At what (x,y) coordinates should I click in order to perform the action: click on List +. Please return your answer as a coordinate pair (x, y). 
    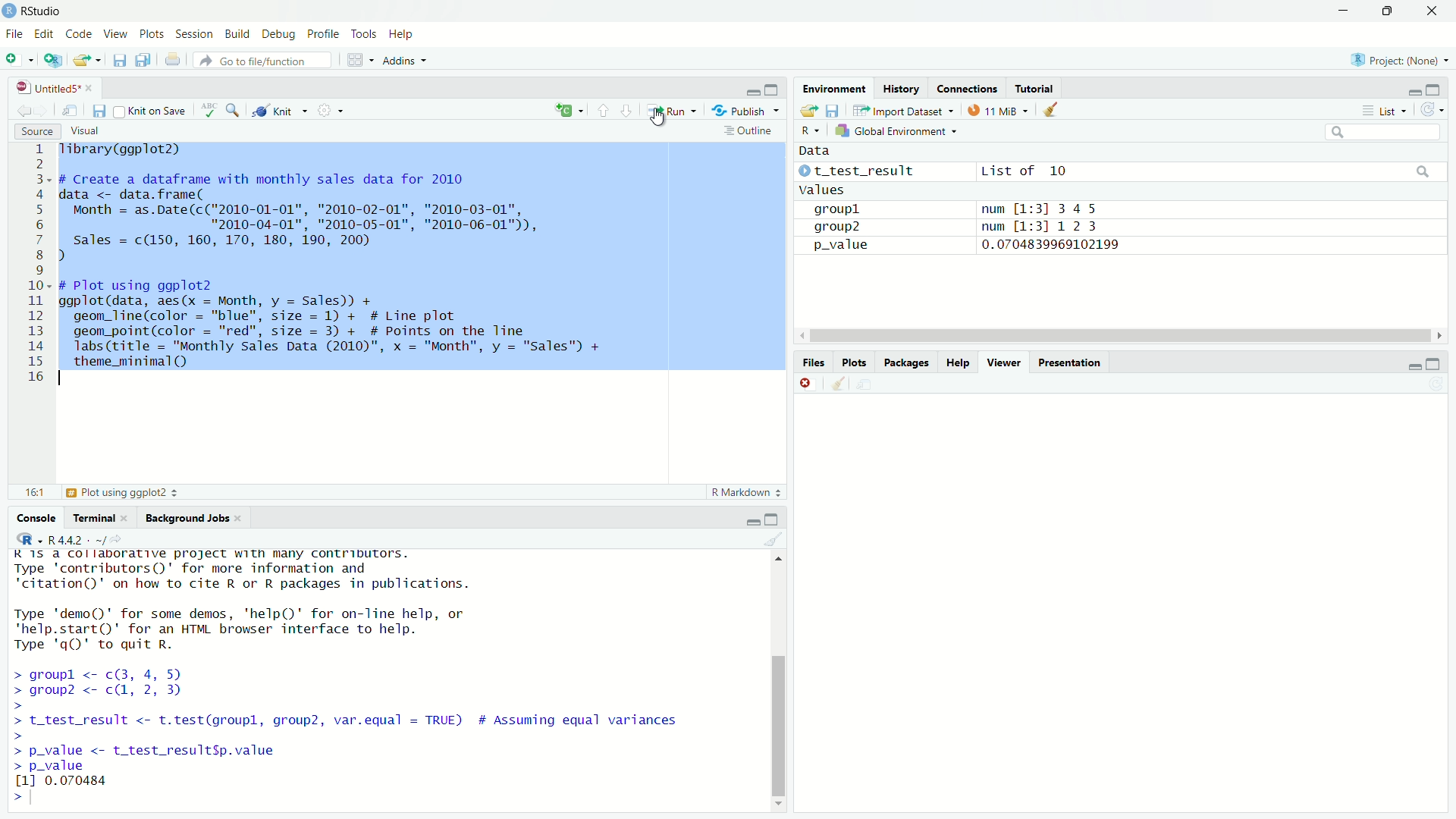
    Looking at the image, I should click on (1382, 110).